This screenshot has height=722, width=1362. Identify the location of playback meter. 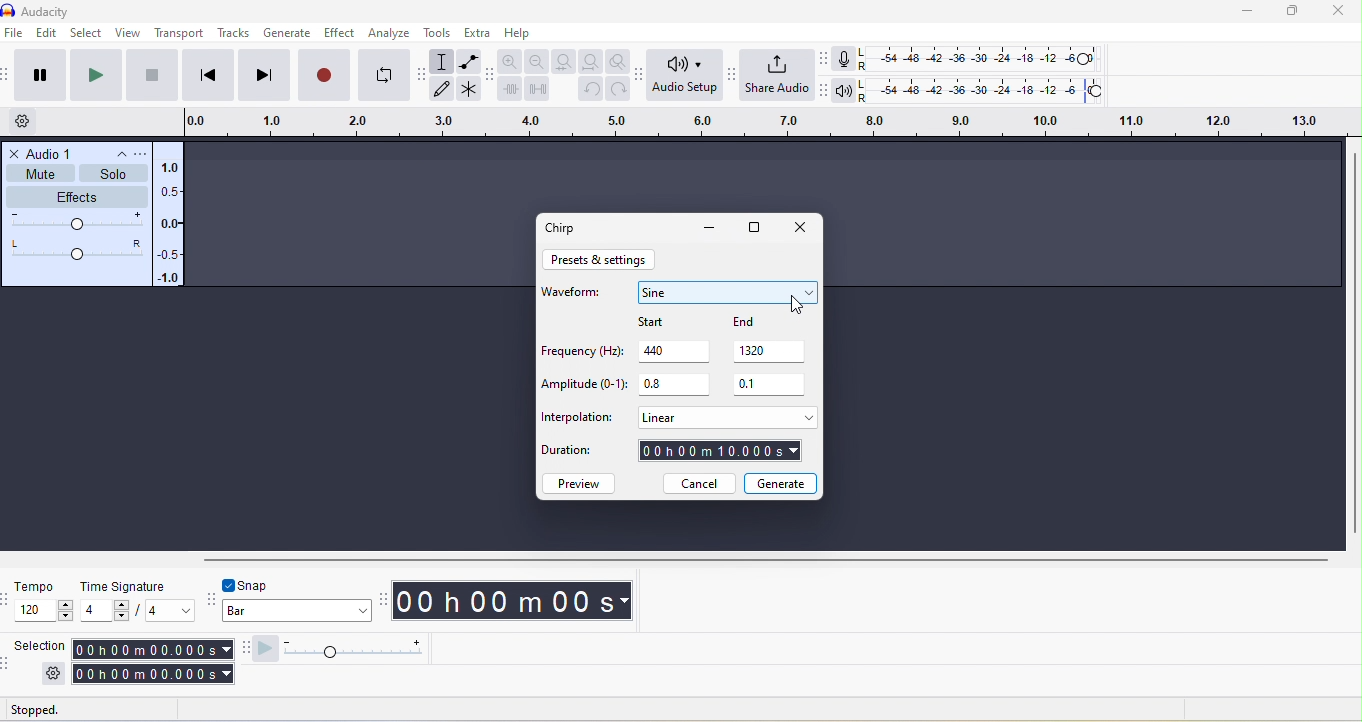
(847, 91).